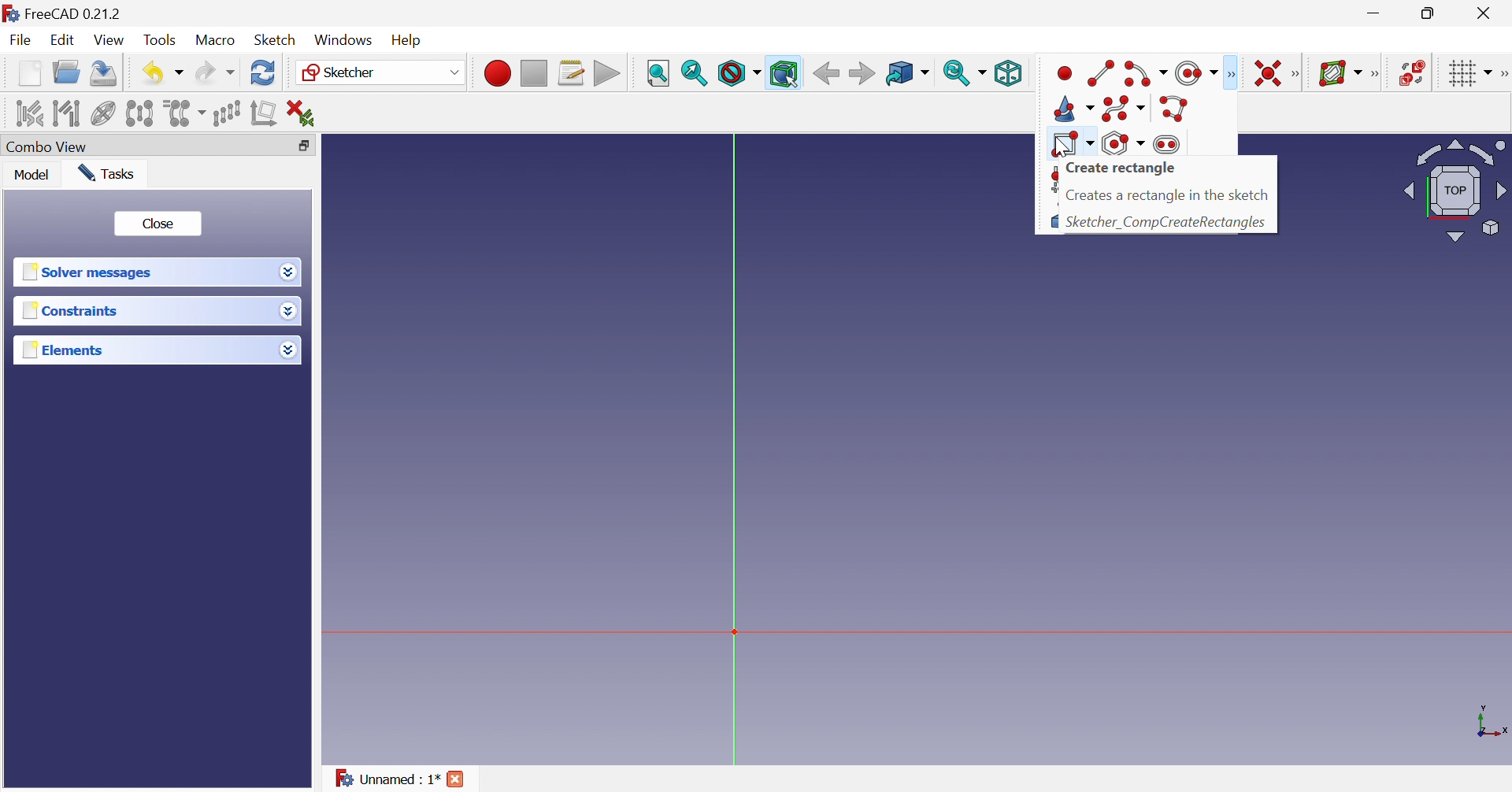 This screenshot has height=792, width=1512. What do you see at coordinates (1167, 194) in the screenshot?
I see `Creates a rectangle in the sketch` at bounding box center [1167, 194].